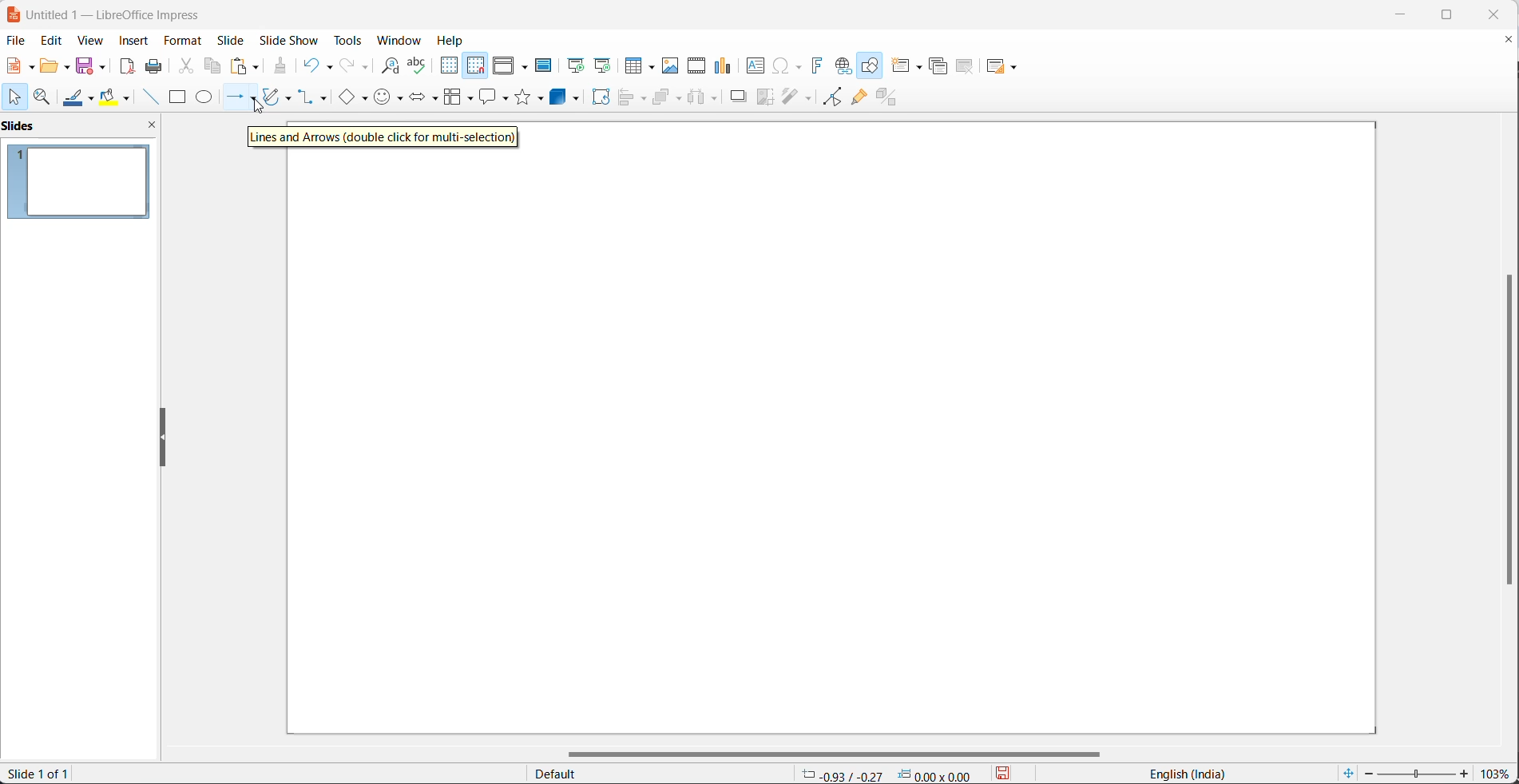 The height and width of the screenshot is (784, 1519). Describe the element at coordinates (117, 97) in the screenshot. I see `fill color` at that location.